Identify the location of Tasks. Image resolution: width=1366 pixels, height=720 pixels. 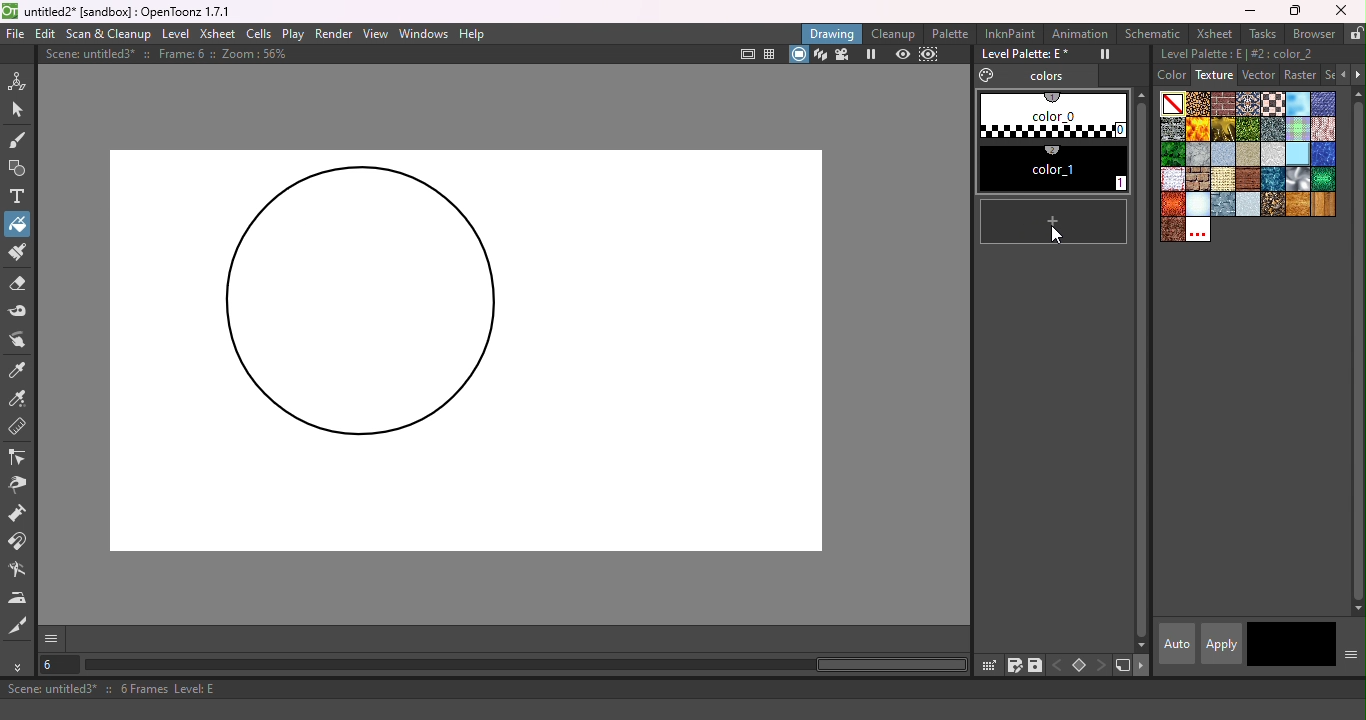
(1260, 34).